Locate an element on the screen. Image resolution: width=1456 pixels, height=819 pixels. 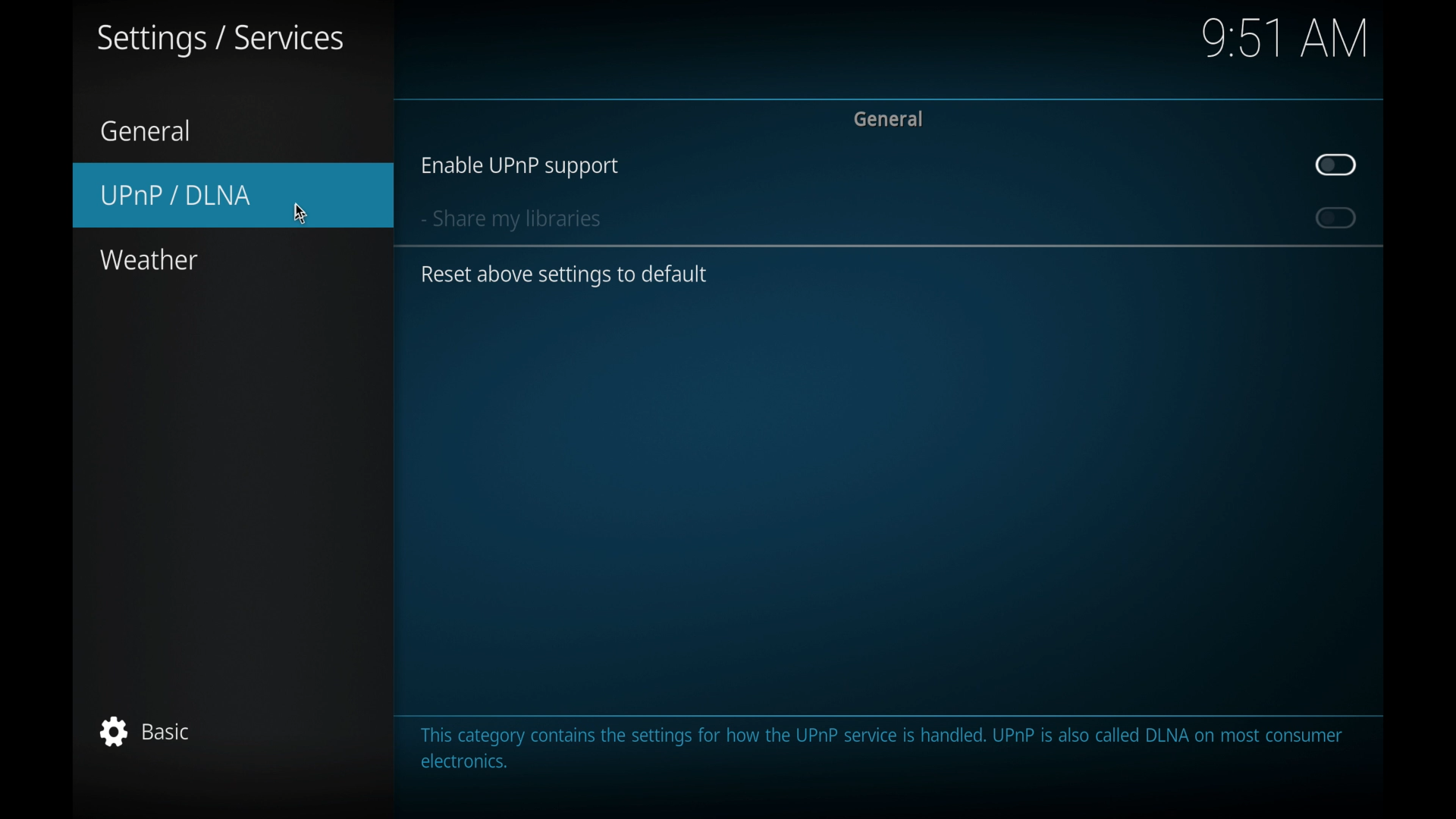
general is located at coordinates (146, 131).